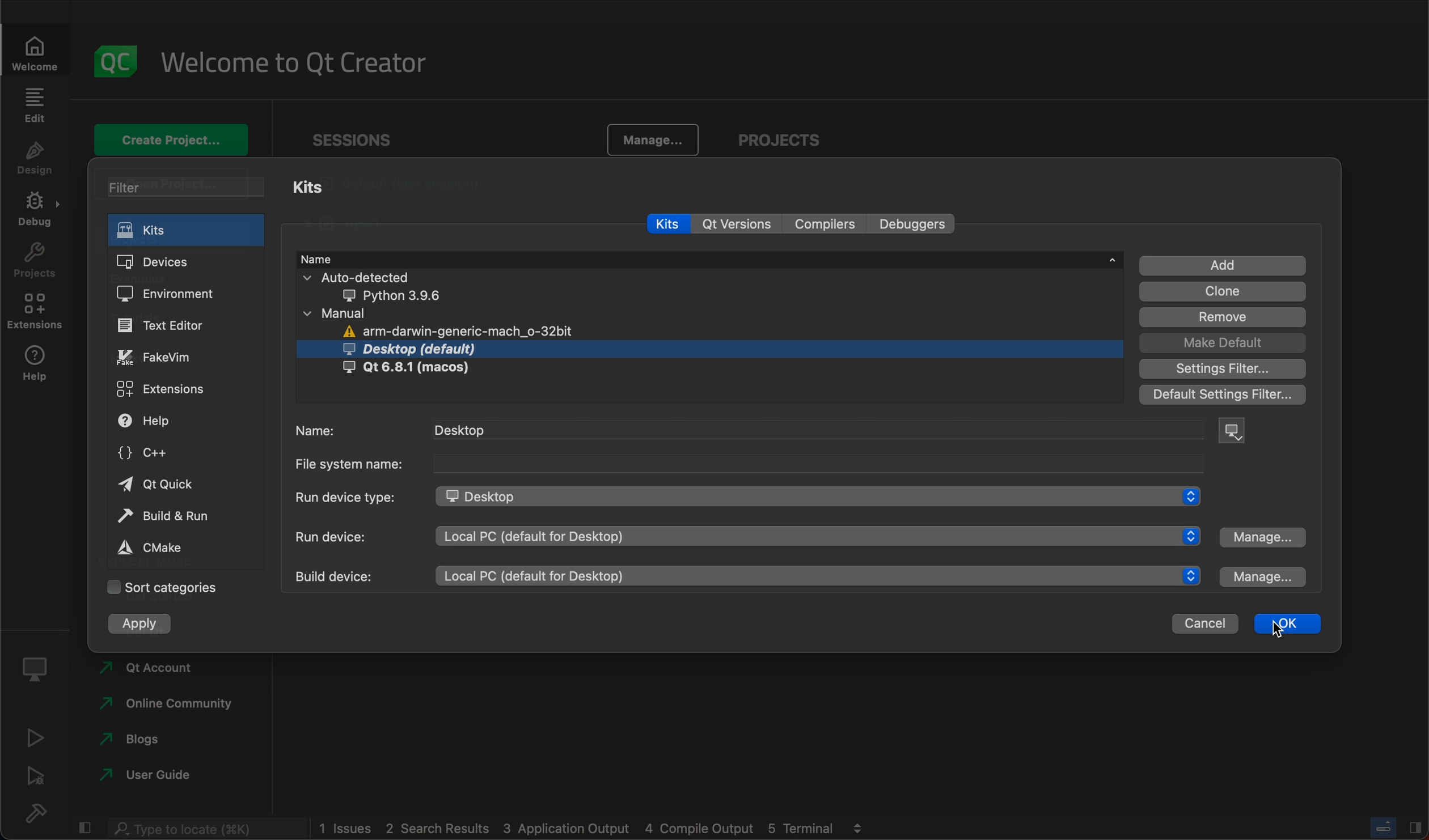  What do you see at coordinates (117, 58) in the screenshot?
I see `logo` at bounding box center [117, 58].